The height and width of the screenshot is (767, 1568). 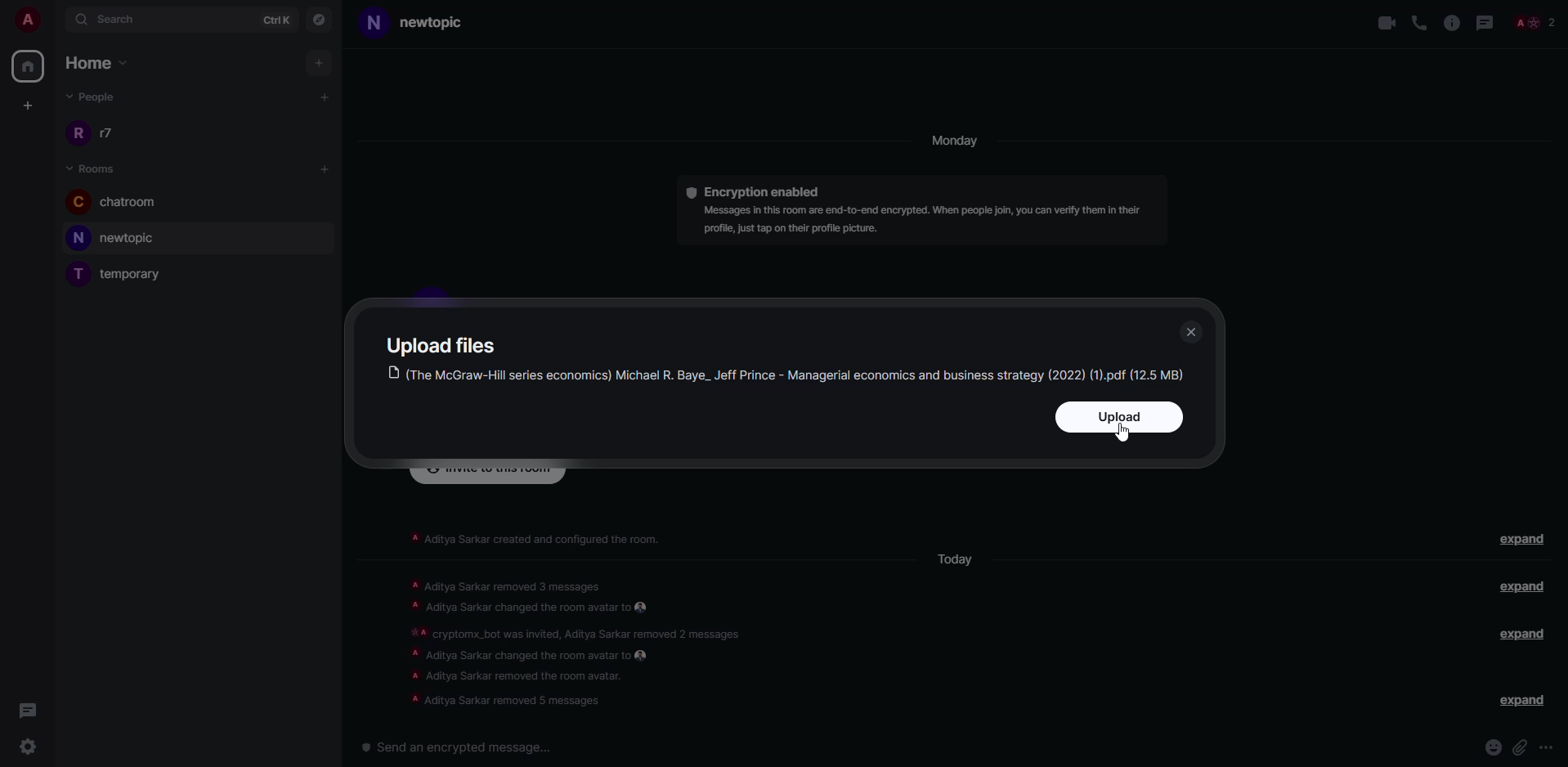 What do you see at coordinates (1521, 635) in the screenshot?
I see `expand` at bounding box center [1521, 635].